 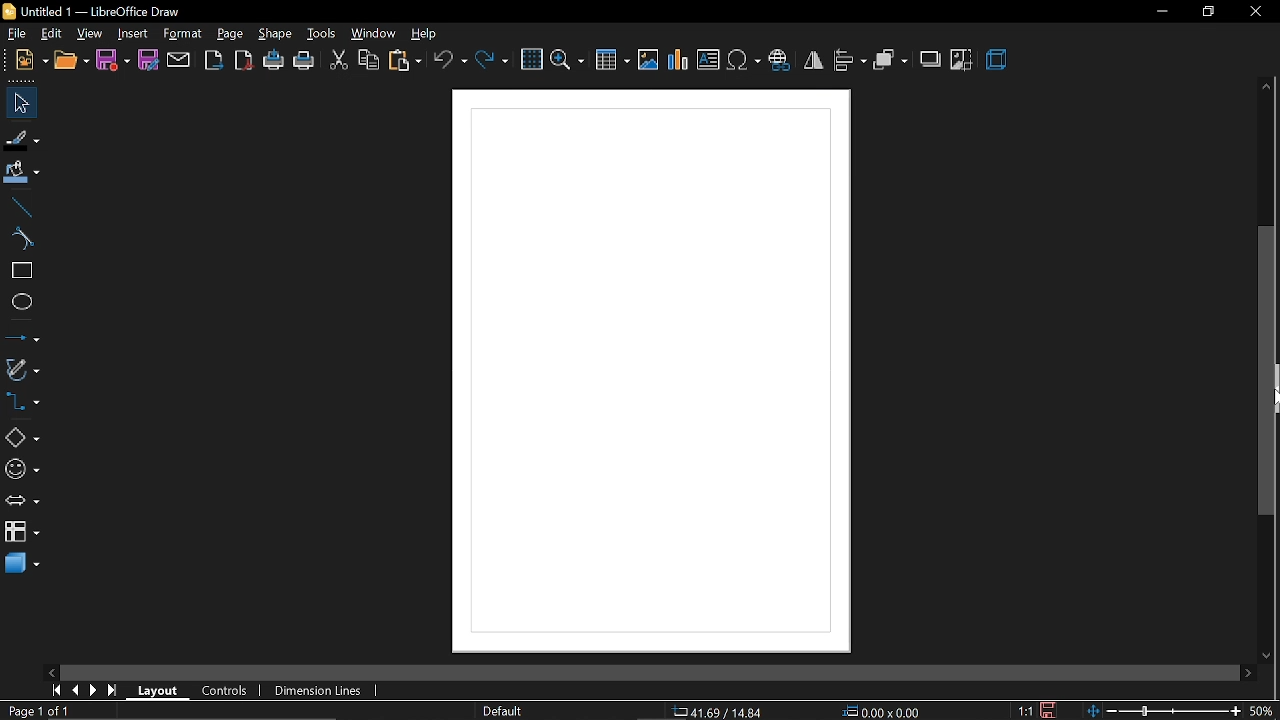 I want to click on flowchart, so click(x=22, y=532).